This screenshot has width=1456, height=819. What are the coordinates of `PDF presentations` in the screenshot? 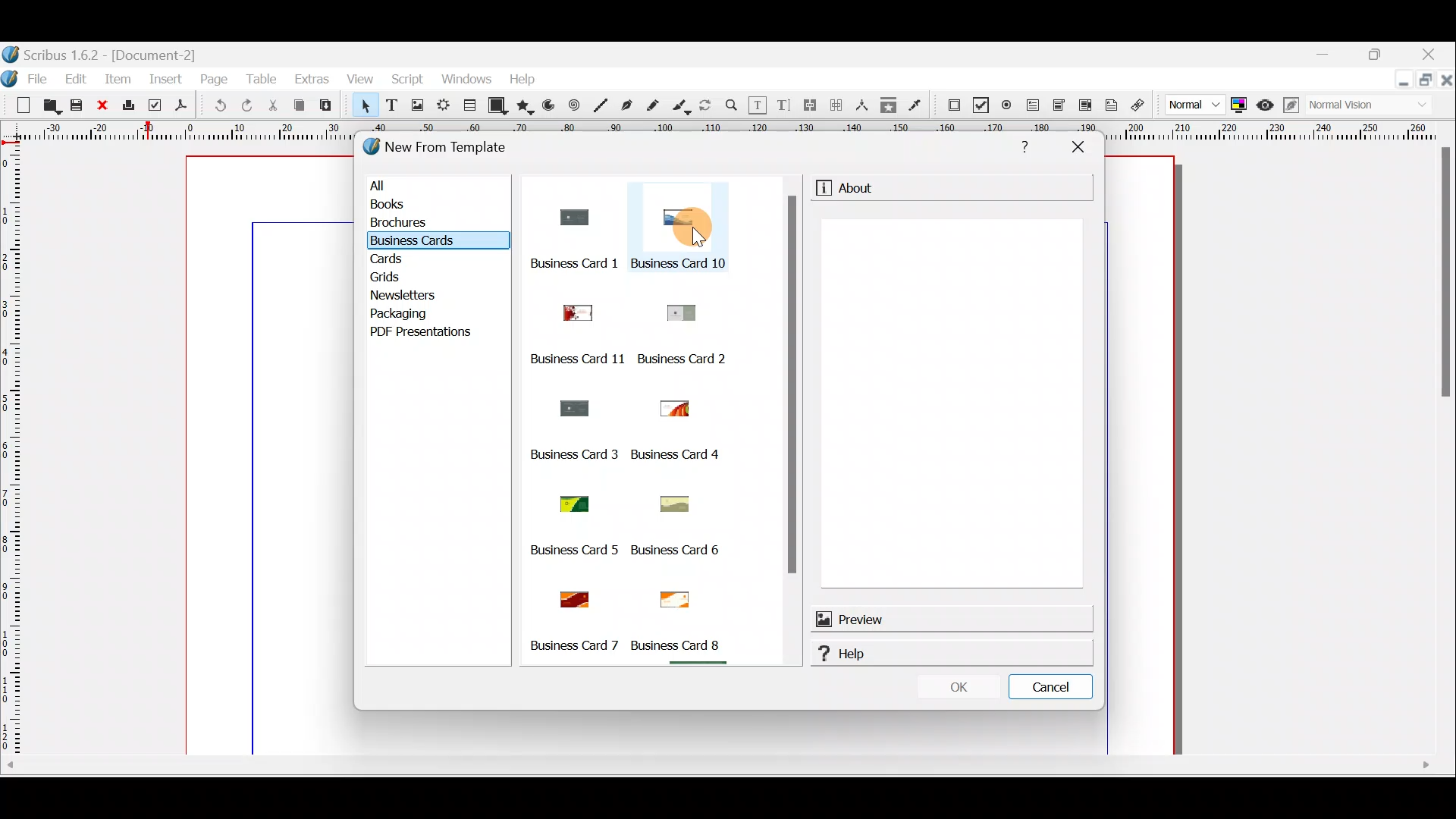 It's located at (433, 334).